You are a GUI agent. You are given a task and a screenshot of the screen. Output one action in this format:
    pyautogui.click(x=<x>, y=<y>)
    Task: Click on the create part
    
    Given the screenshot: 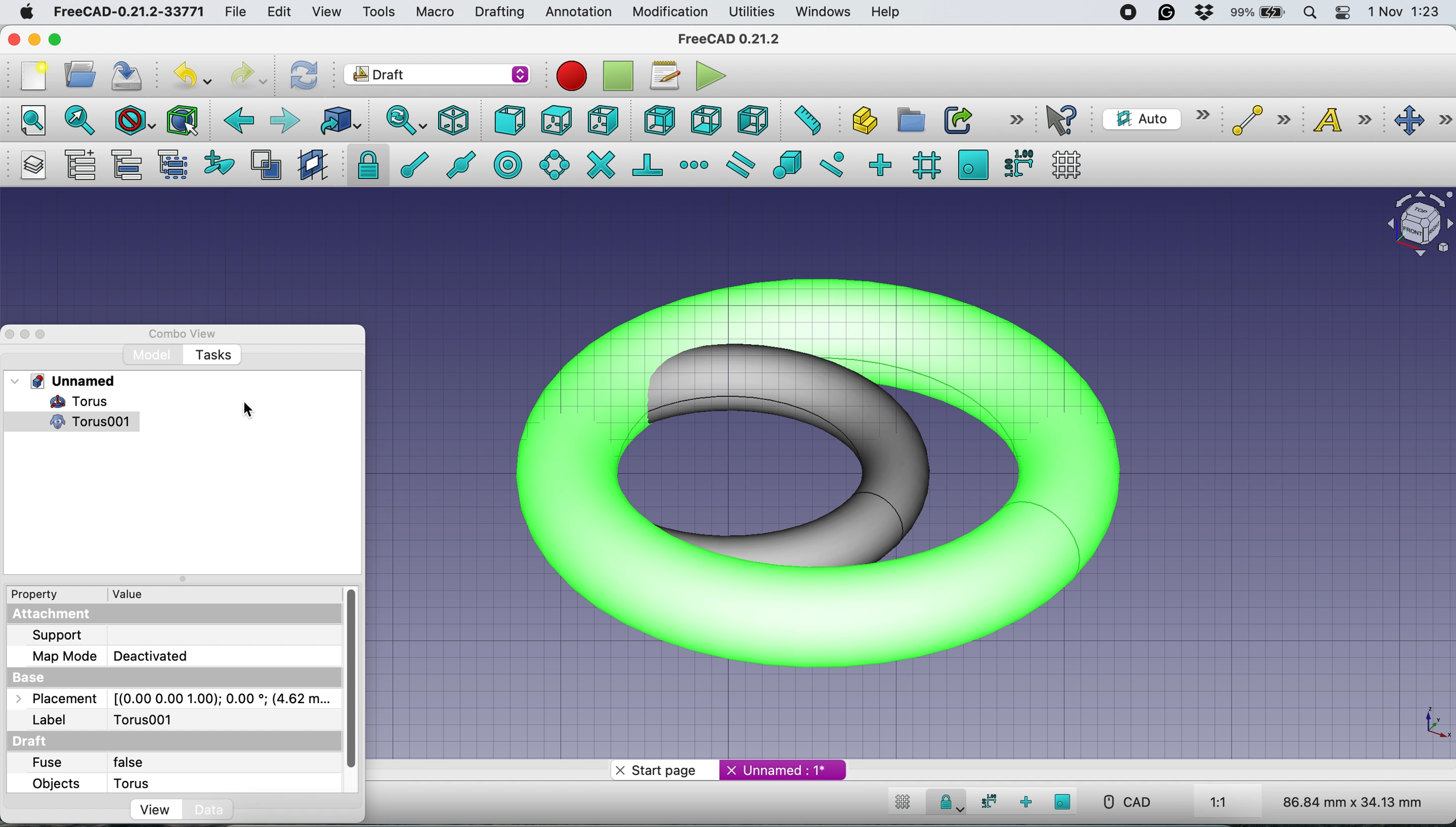 What is the action you would take?
    pyautogui.click(x=859, y=122)
    